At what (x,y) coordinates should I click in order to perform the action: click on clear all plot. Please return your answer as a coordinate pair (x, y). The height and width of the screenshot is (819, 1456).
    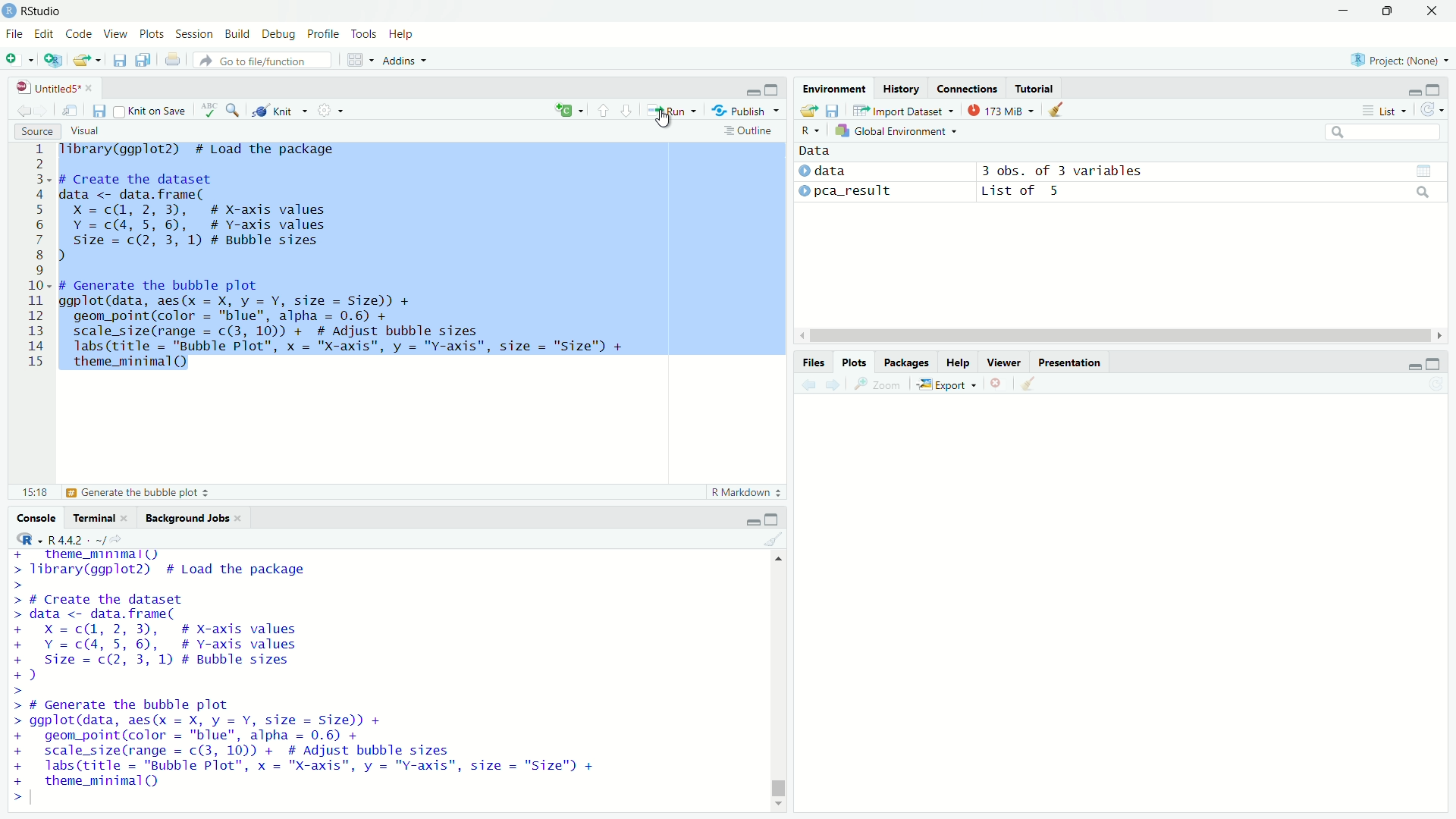
    Looking at the image, I should click on (1030, 384).